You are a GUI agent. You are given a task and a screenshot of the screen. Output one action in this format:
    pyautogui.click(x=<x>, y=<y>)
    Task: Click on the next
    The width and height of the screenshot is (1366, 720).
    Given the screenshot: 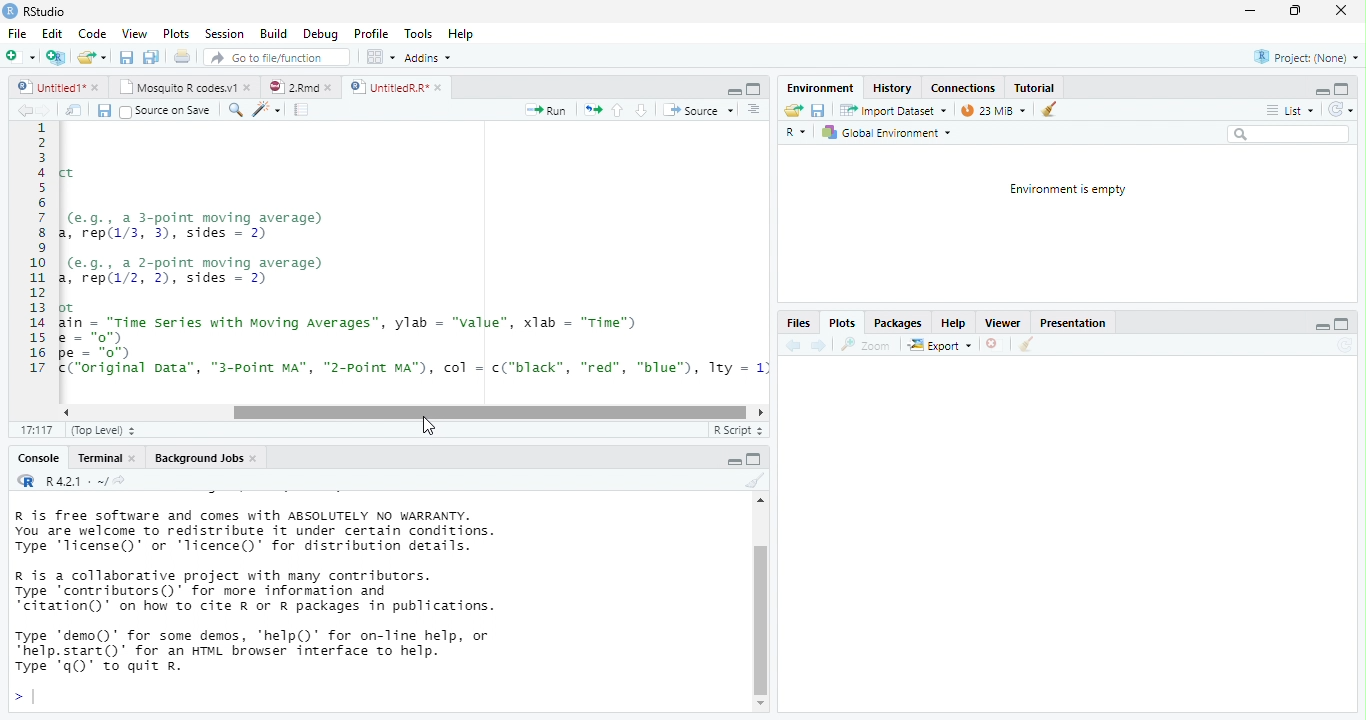 What is the action you would take?
    pyautogui.click(x=48, y=111)
    